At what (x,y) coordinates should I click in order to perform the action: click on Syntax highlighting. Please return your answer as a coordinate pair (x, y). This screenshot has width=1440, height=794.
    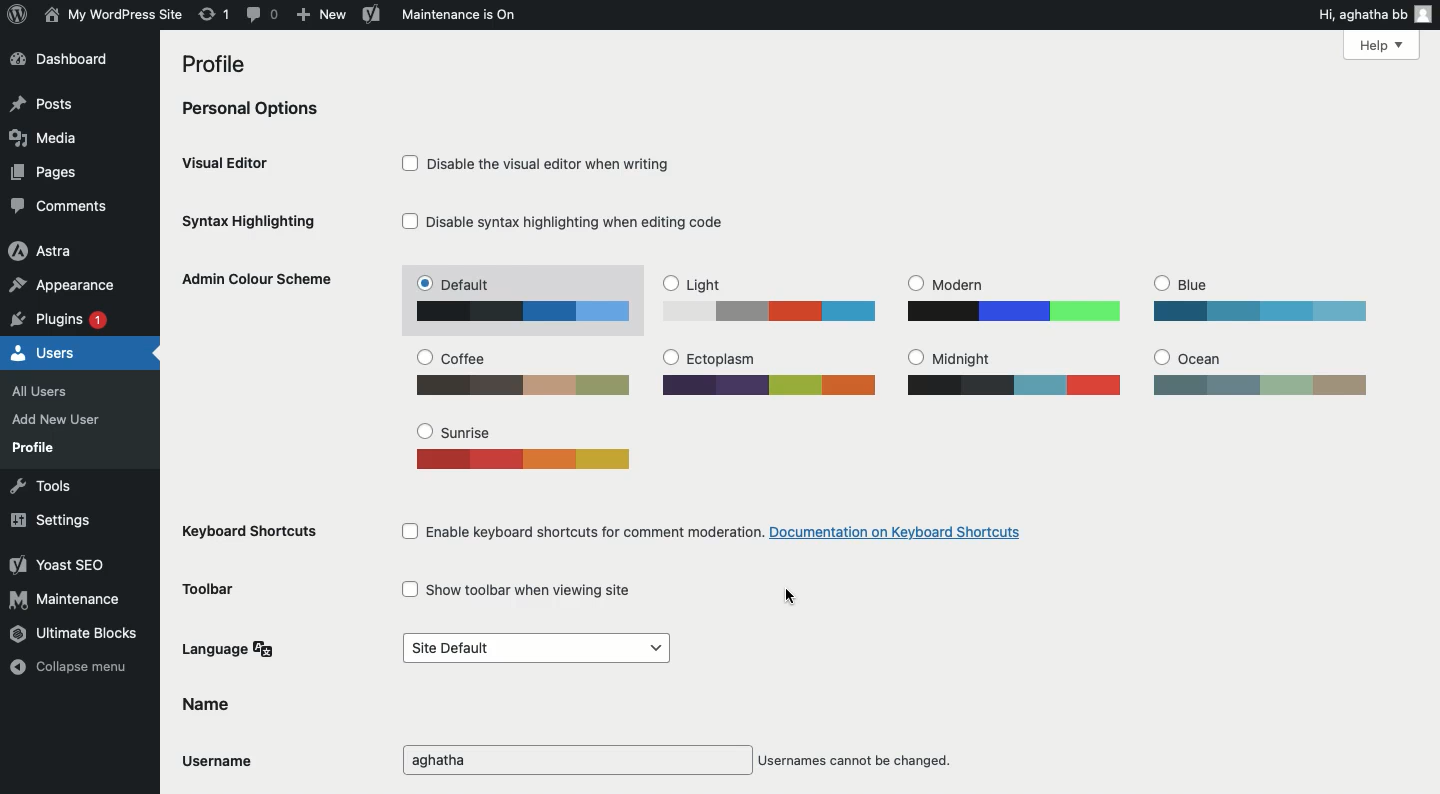
    Looking at the image, I should click on (252, 222).